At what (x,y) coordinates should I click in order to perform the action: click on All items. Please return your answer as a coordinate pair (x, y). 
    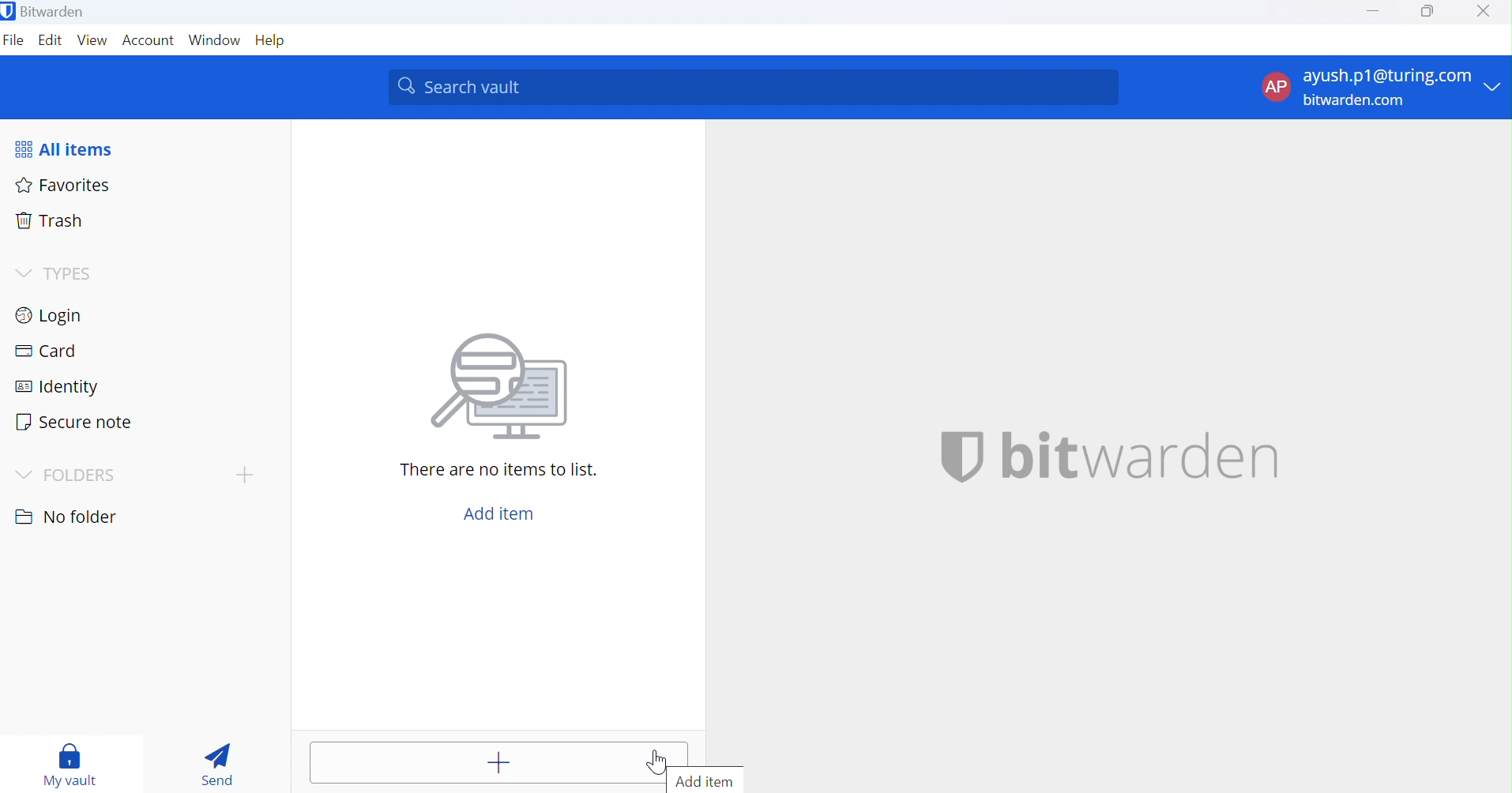
    Looking at the image, I should click on (74, 147).